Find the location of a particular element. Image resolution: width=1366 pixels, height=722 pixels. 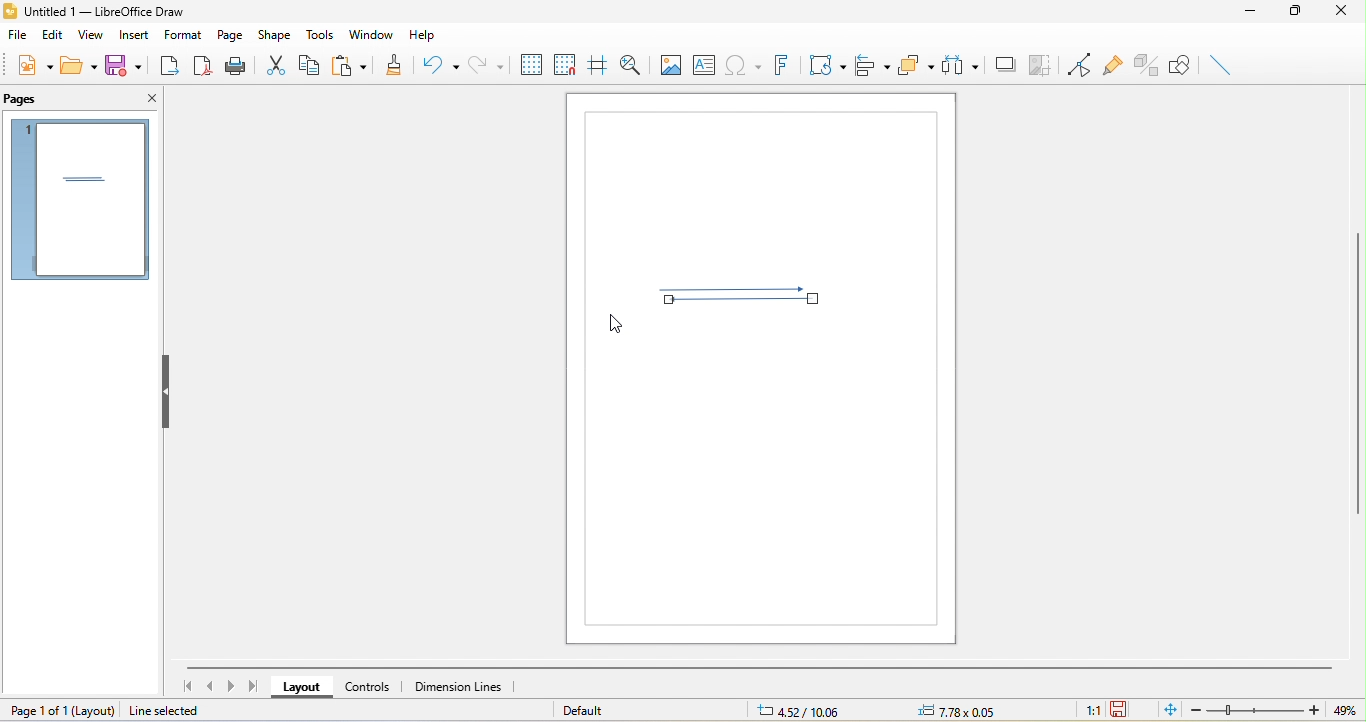

tools is located at coordinates (322, 35).